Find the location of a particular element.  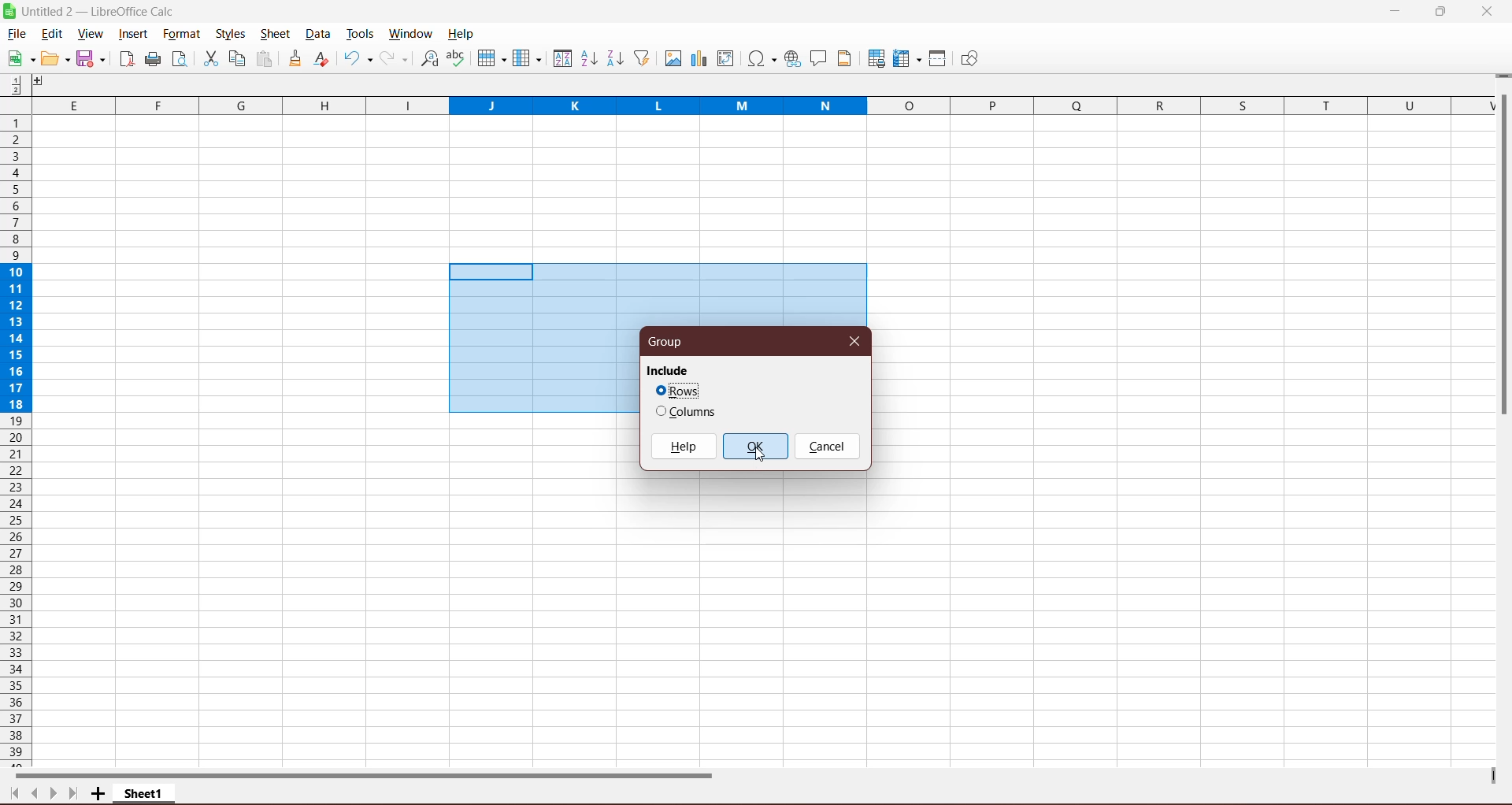

Restore Down is located at coordinates (1440, 11).